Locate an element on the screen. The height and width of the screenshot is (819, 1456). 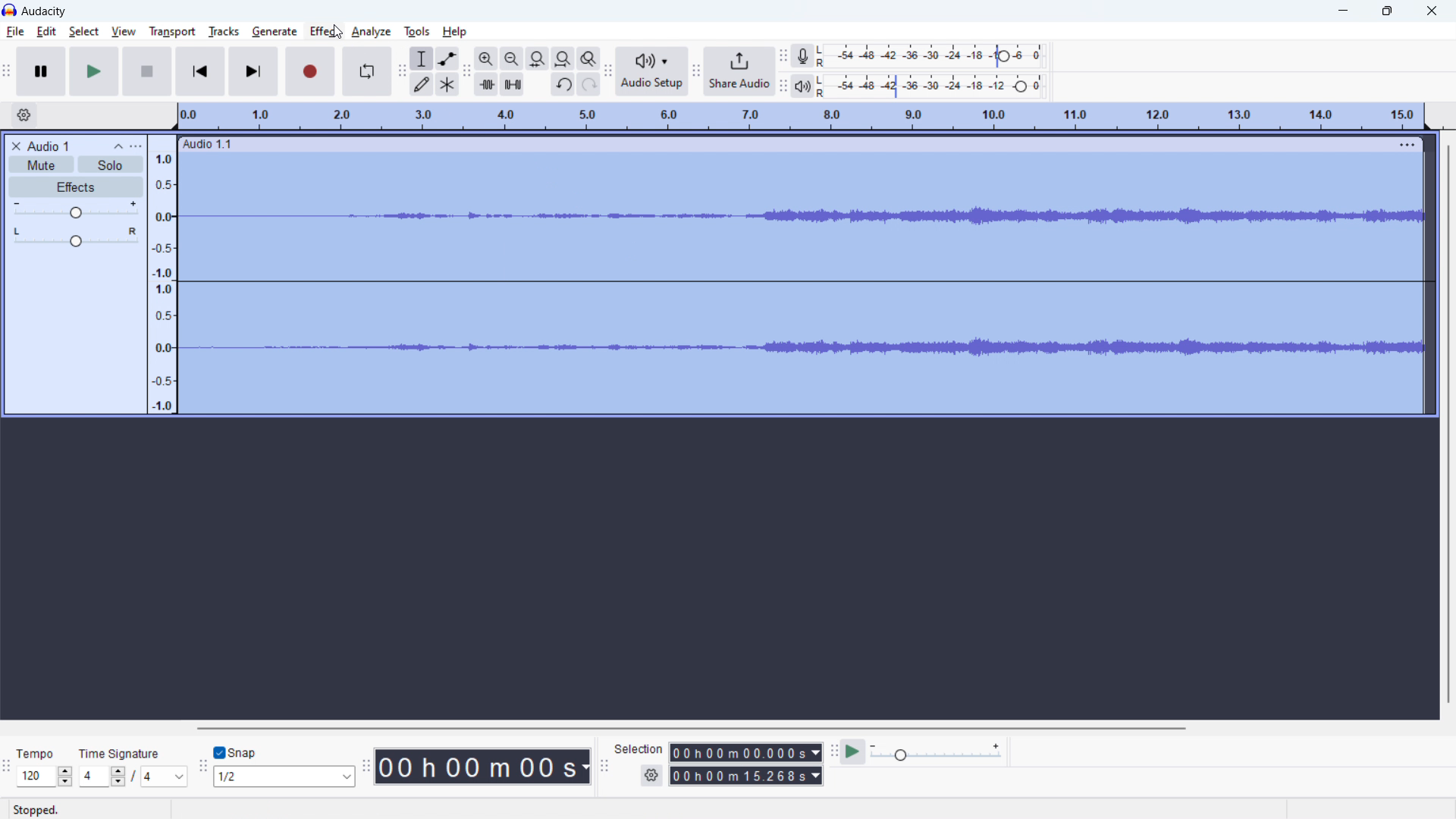
00h 00 m 00 s 9timestamp) is located at coordinates (485, 766).